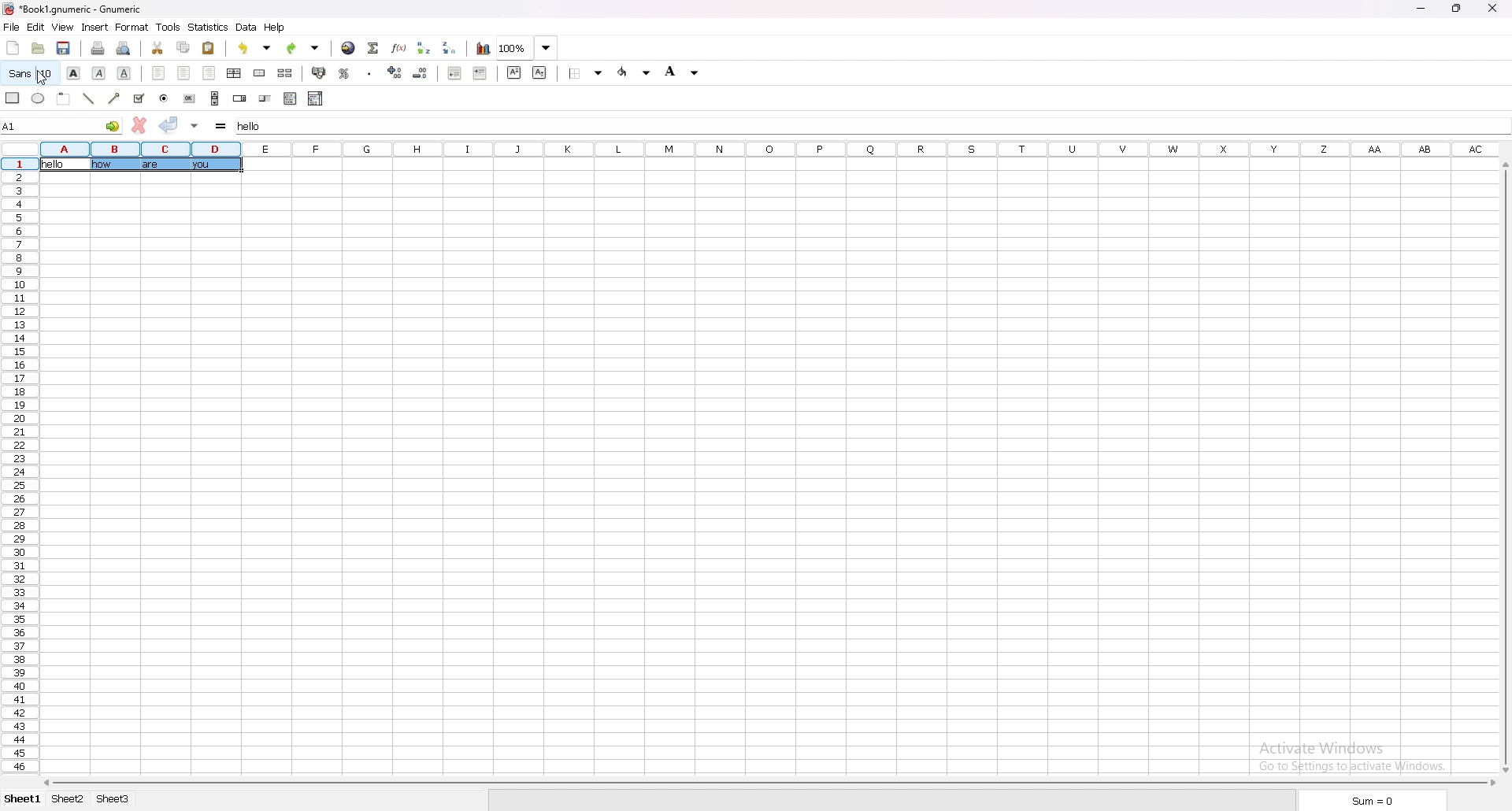  Describe the element at coordinates (209, 27) in the screenshot. I see `statistics` at that location.